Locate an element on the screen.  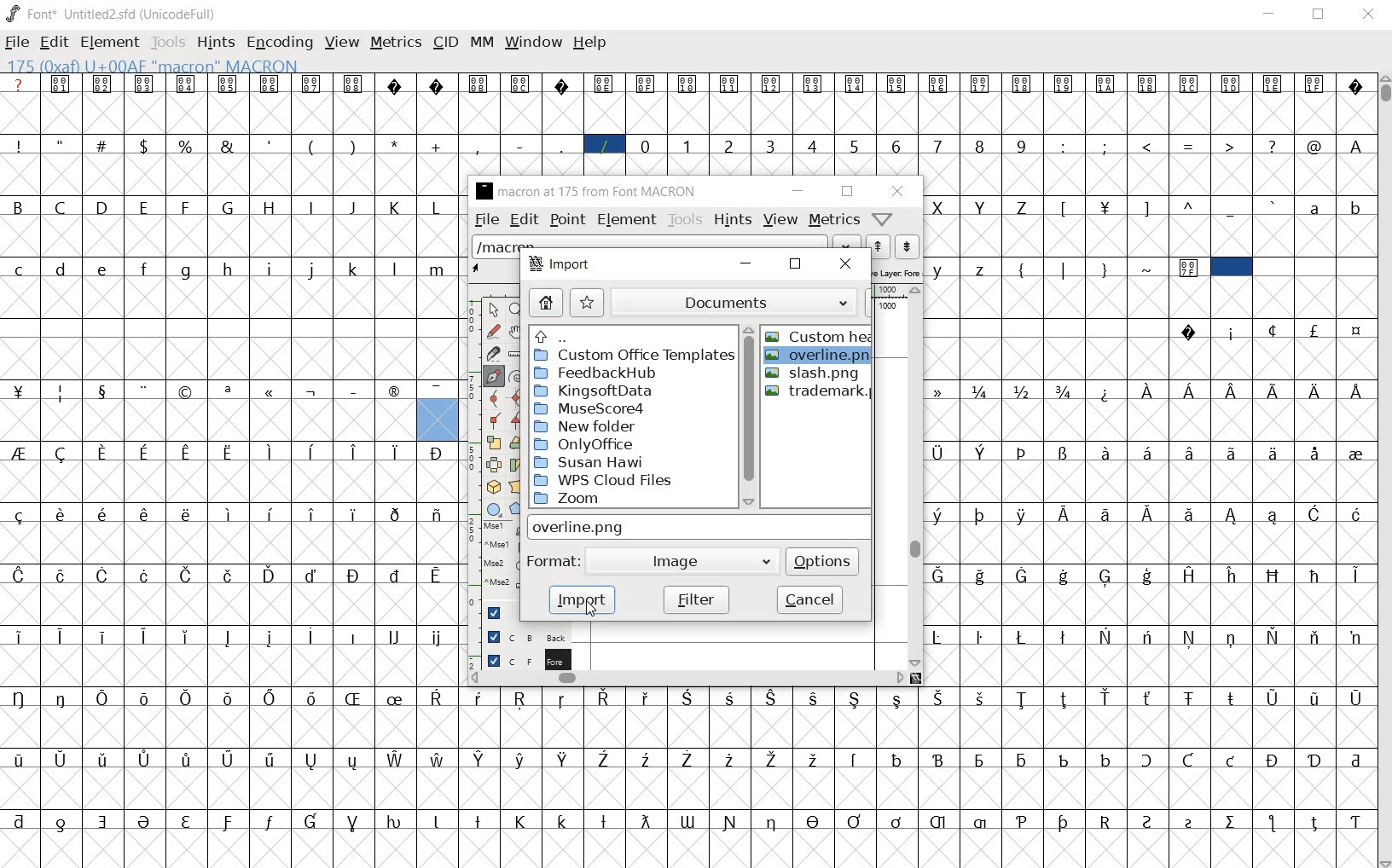
view is located at coordinates (780, 222).